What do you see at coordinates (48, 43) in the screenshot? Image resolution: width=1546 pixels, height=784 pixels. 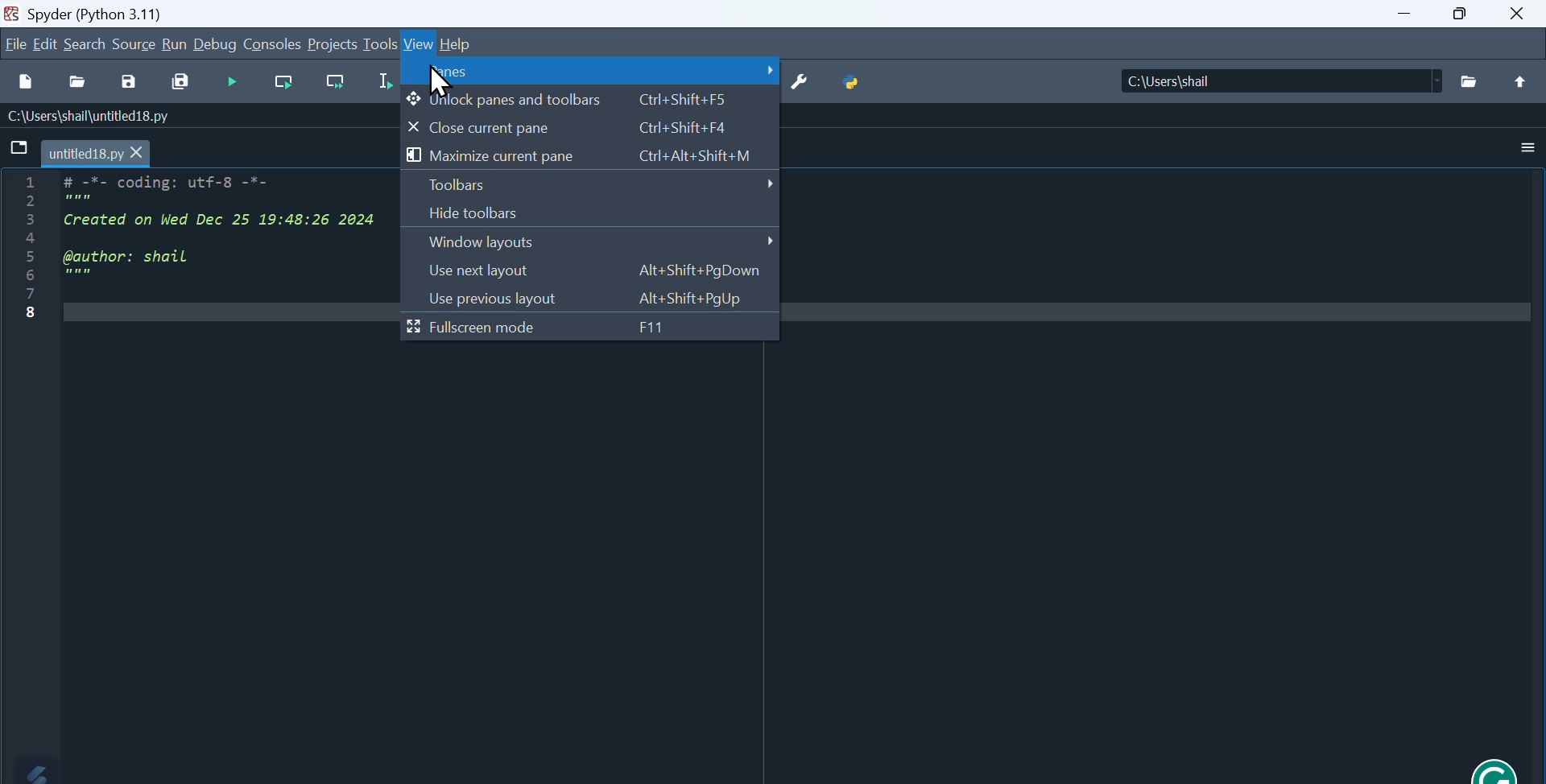 I see `Edit` at bounding box center [48, 43].